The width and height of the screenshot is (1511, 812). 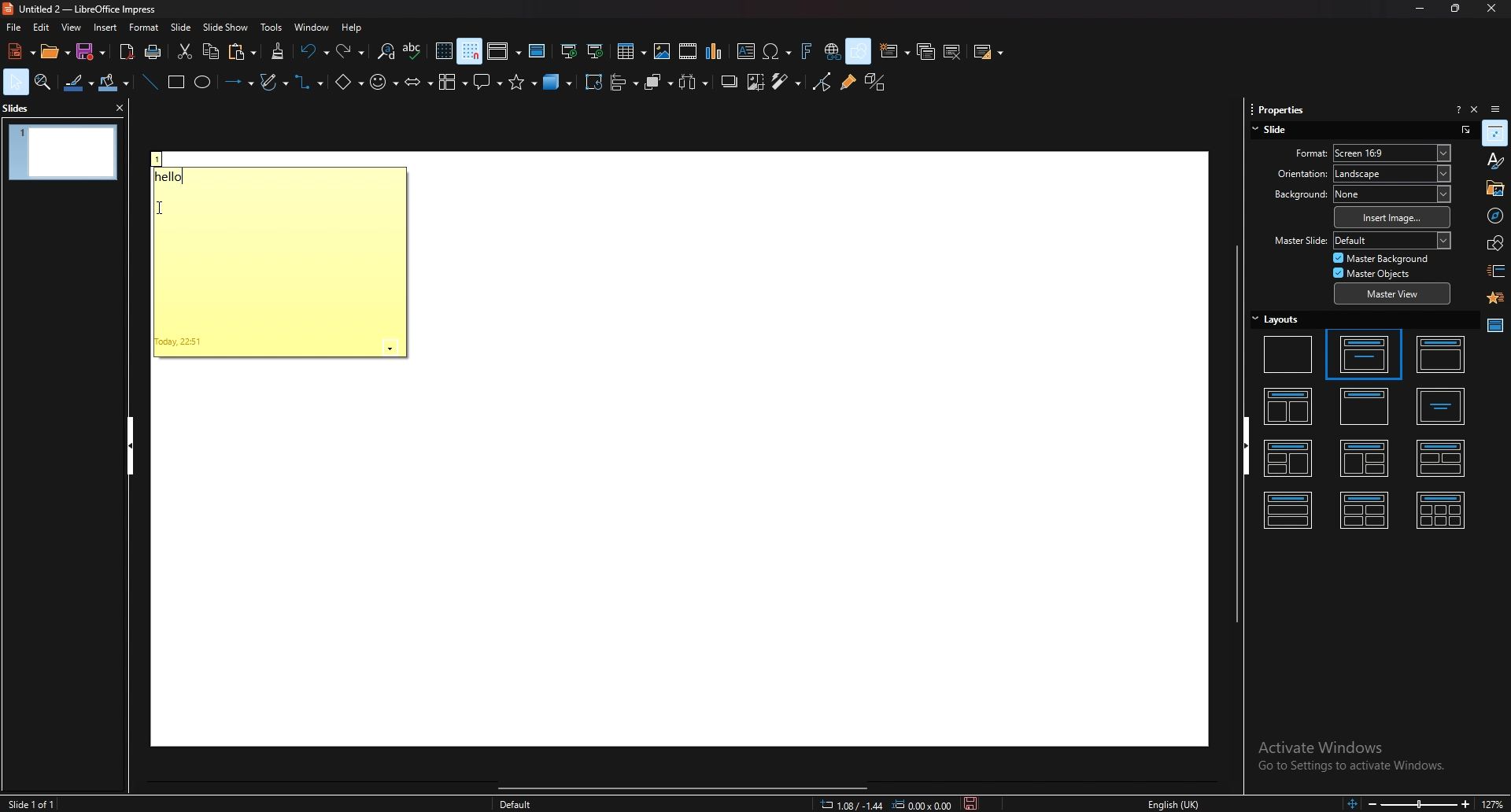 What do you see at coordinates (488, 83) in the screenshot?
I see `callout shapes` at bounding box center [488, 83].